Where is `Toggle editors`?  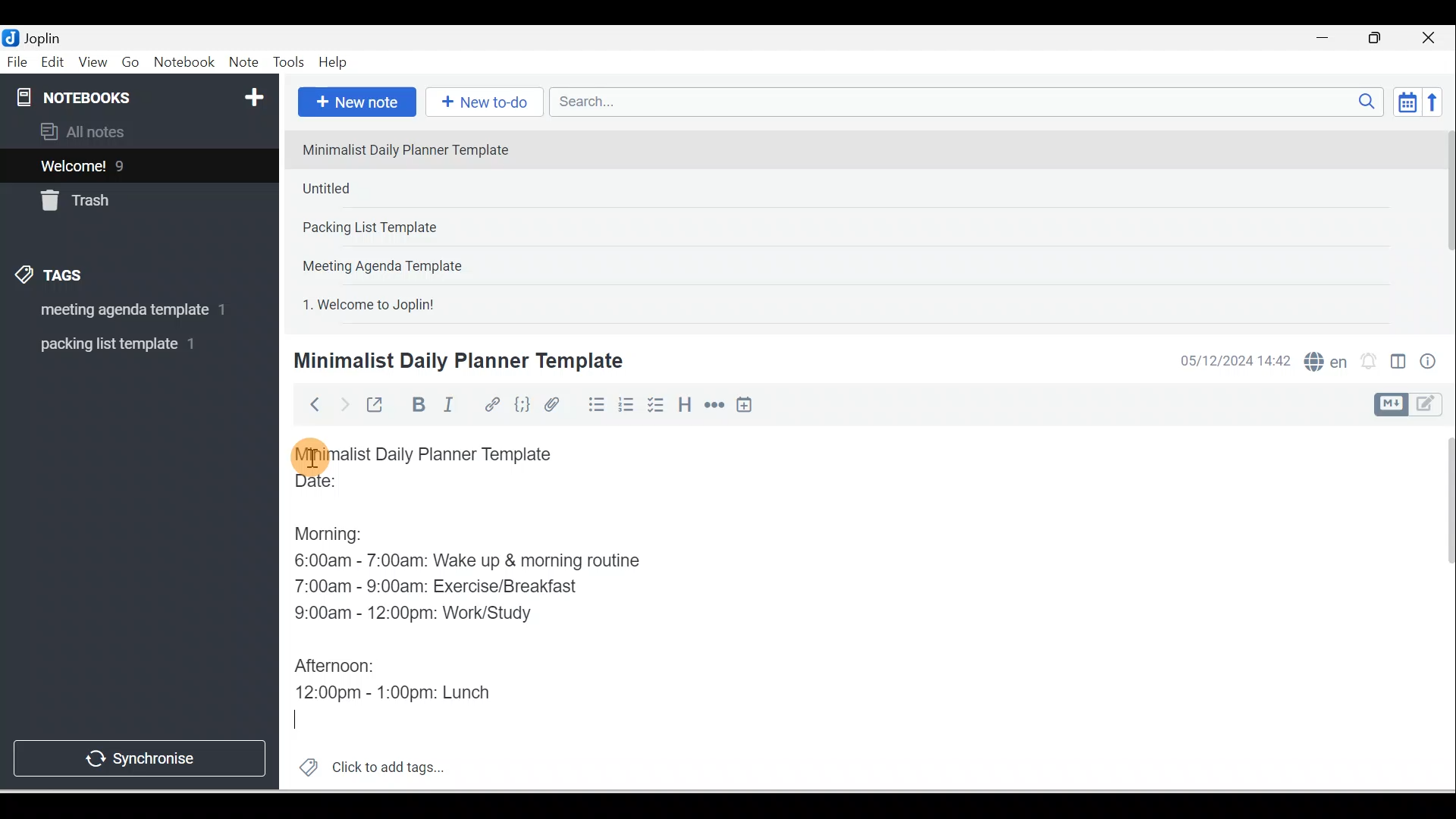 Toggle editors is located at coordinates (1398, 364).